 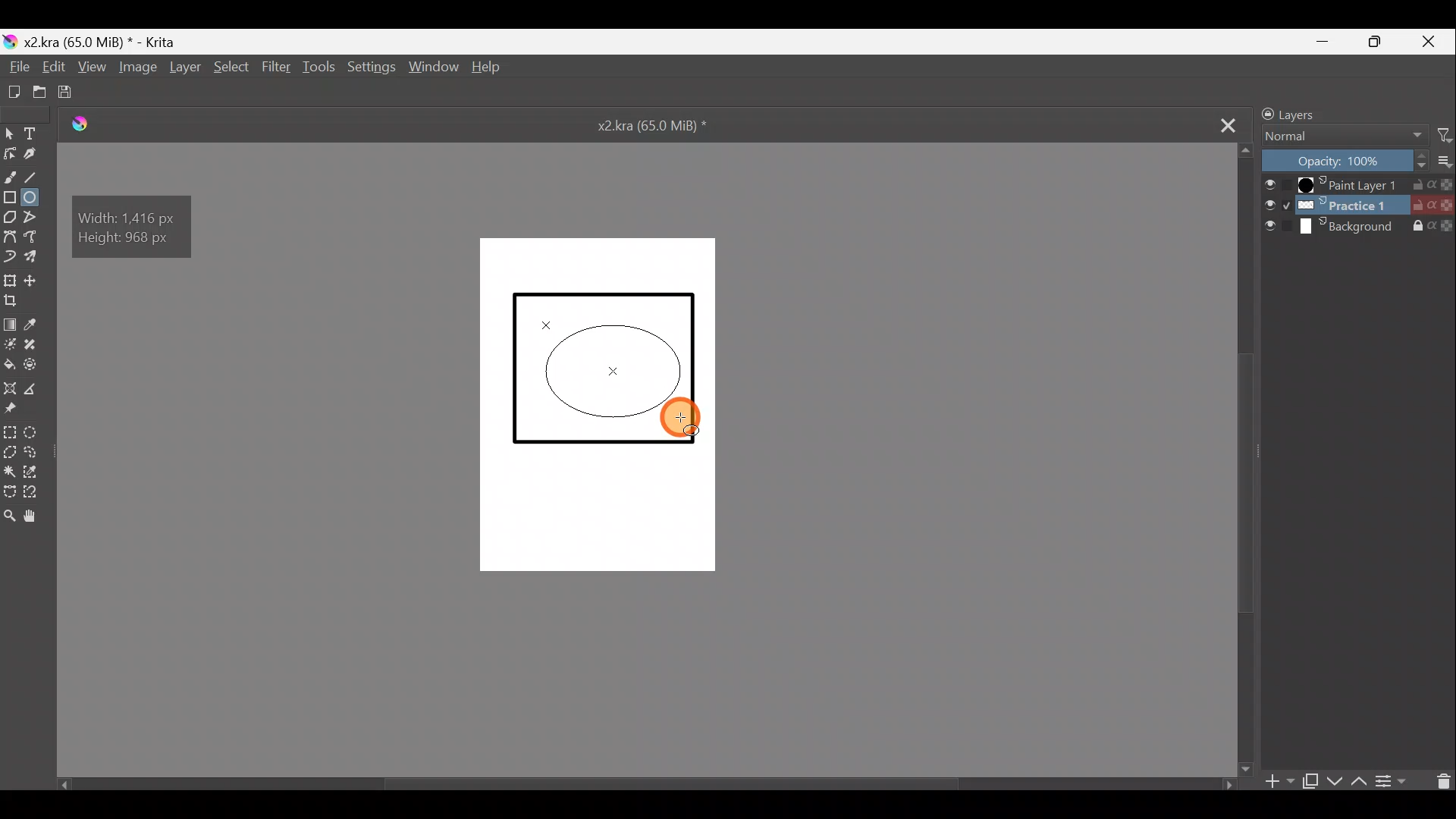 What do you see at coordinates (1441, 162) in the screenshot?
I see `More` at bounding box center [1441, 162].